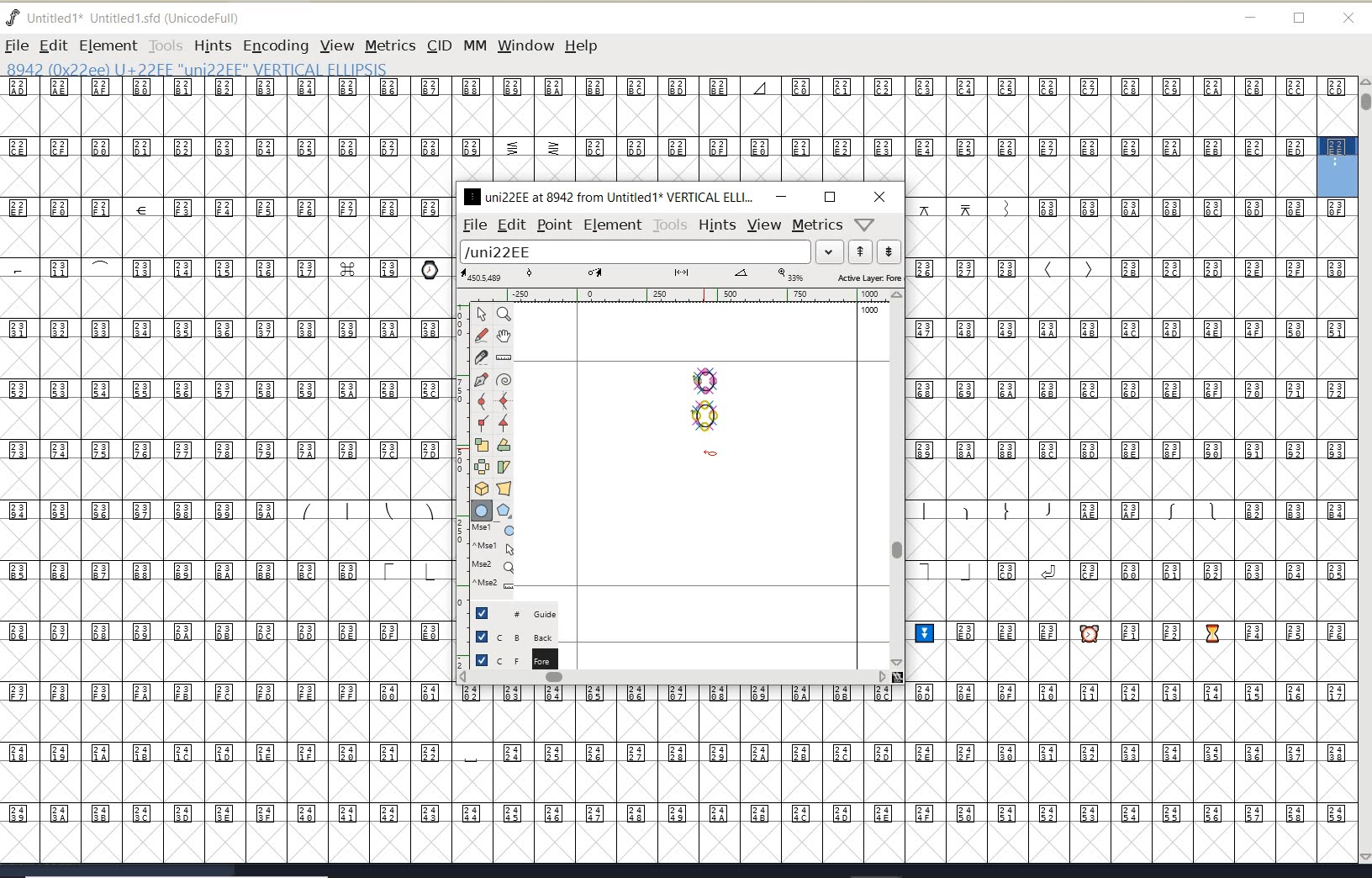 The height and width of the screenshot is (878, 1372). What do you see at coordinates (482, 467) in the screenshot?
I see `flip the selection` at bounding box center [482, 467].